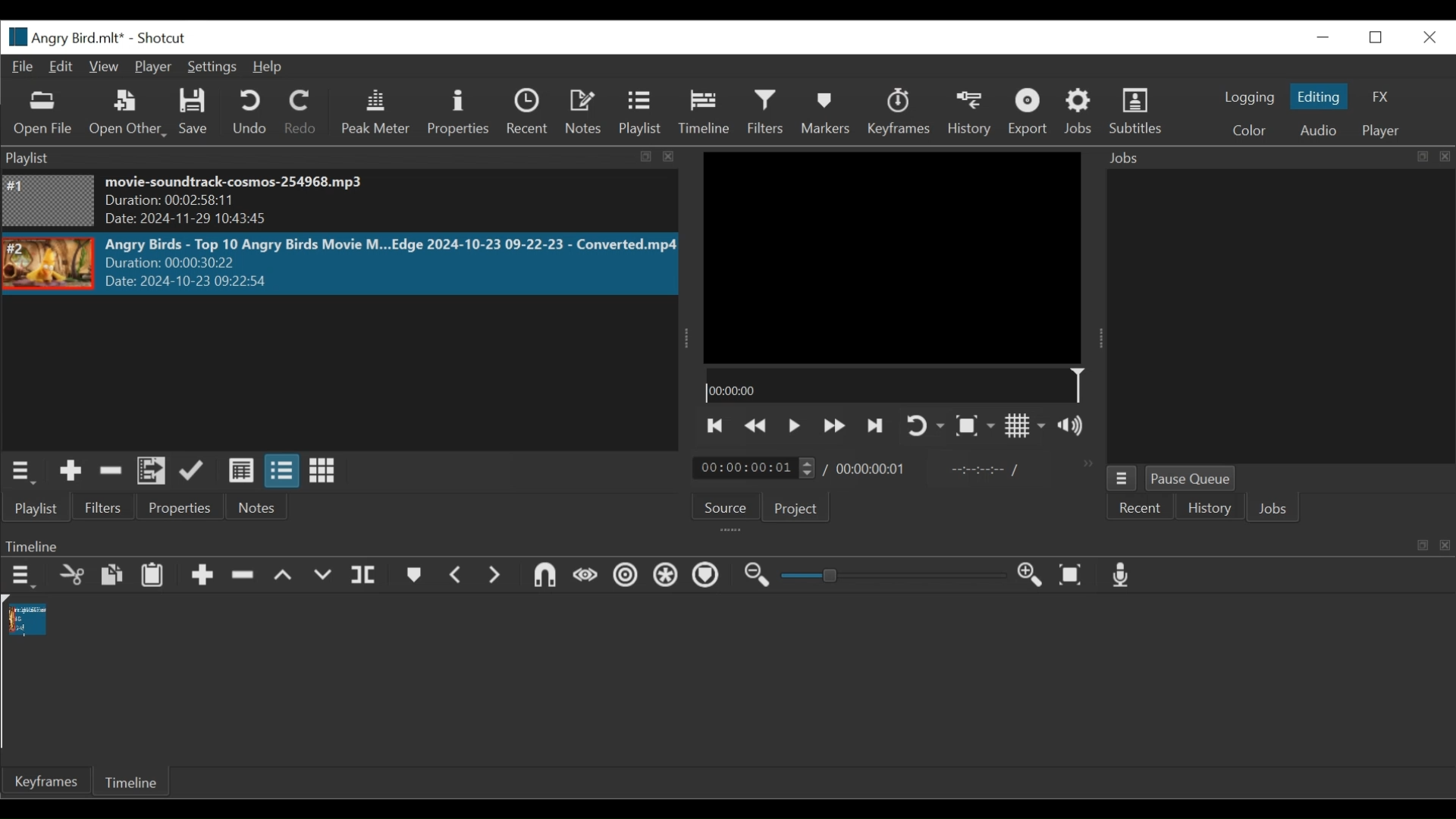 This screenshot has height=819, width=1456. I want to click on History, so click(968, 113).